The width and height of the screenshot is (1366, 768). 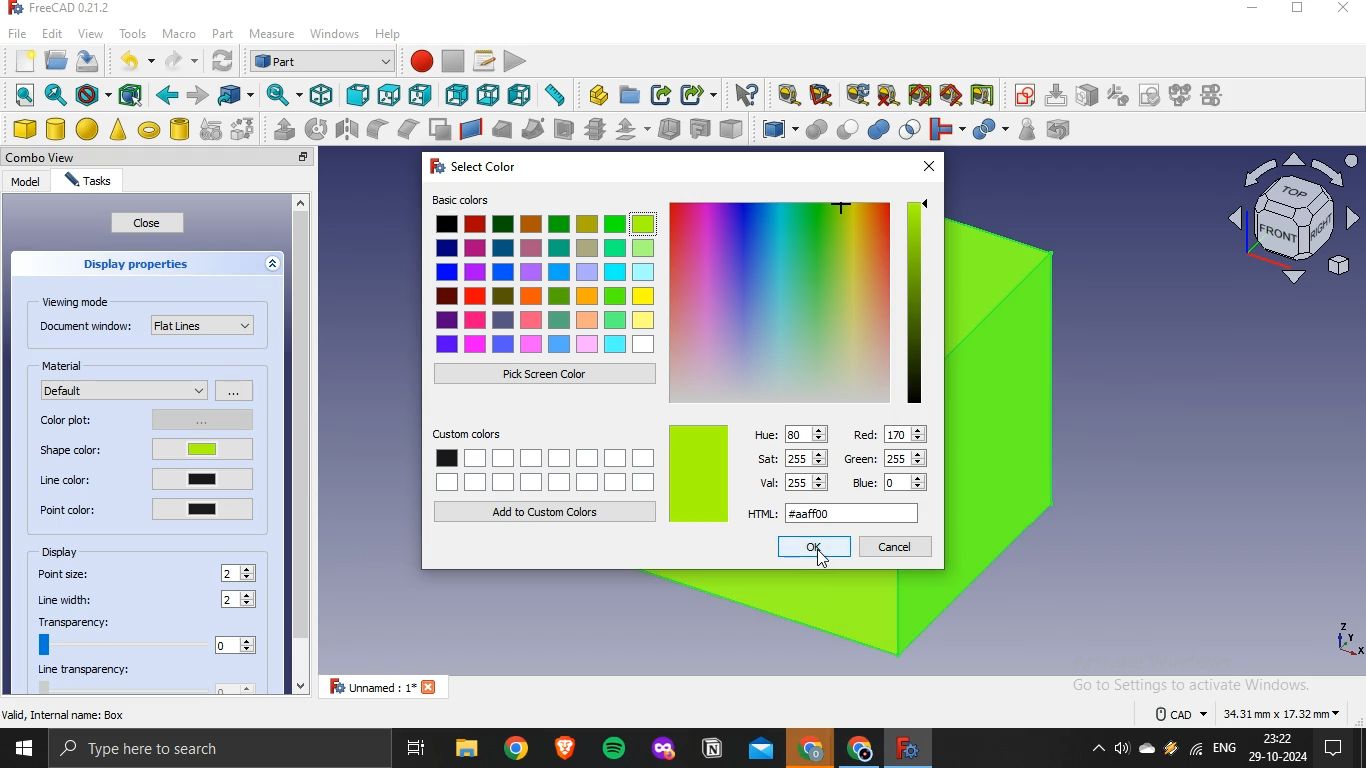 What do you see at coordinates (664, 751) in the screenshot?
I see `mozilla firefox` at bounding box center [664, 751].